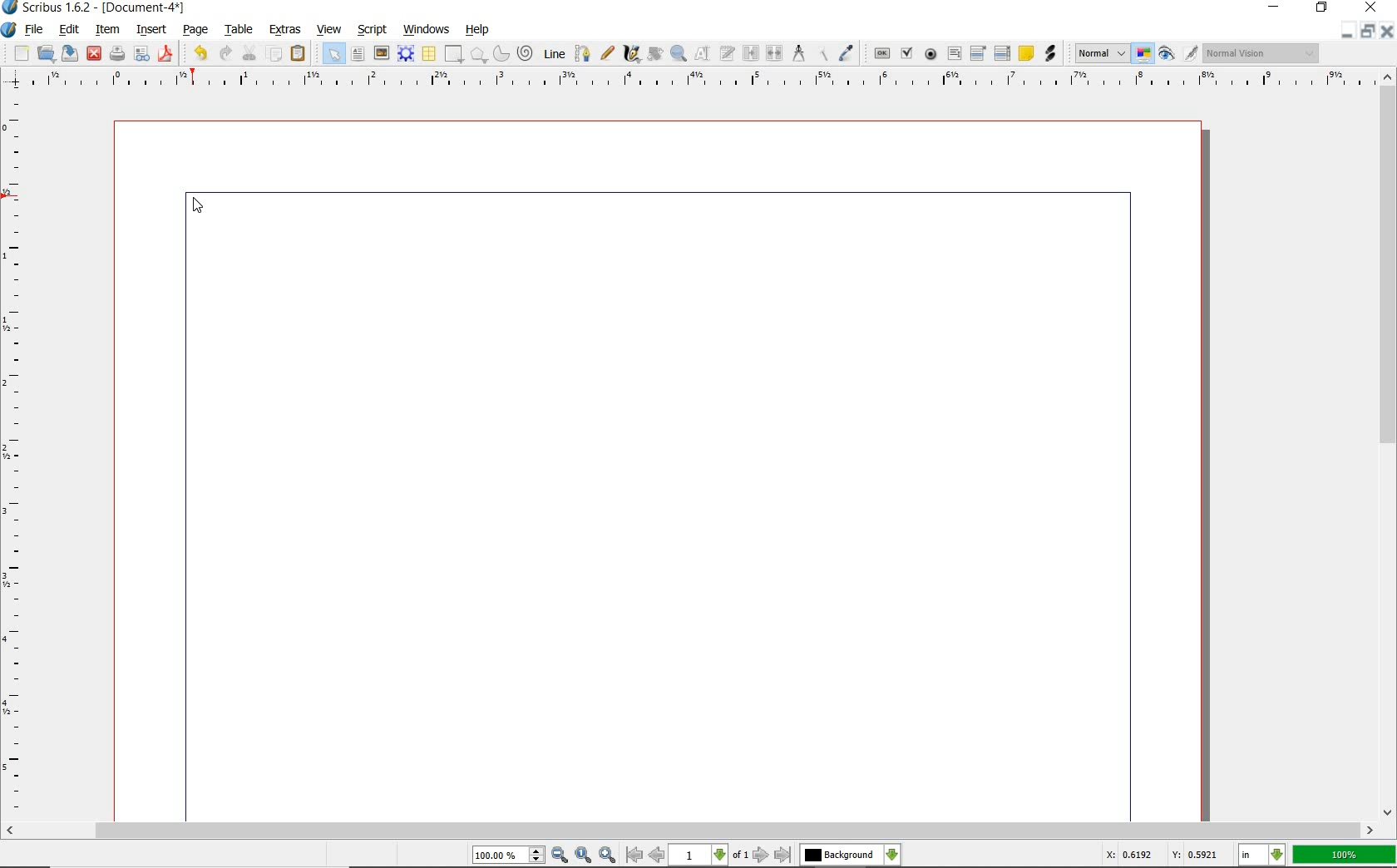 The image size is (1397, 868). Describe the element at coordinates (954, 53) in the screenshot. I see `pdf text field` at that location.